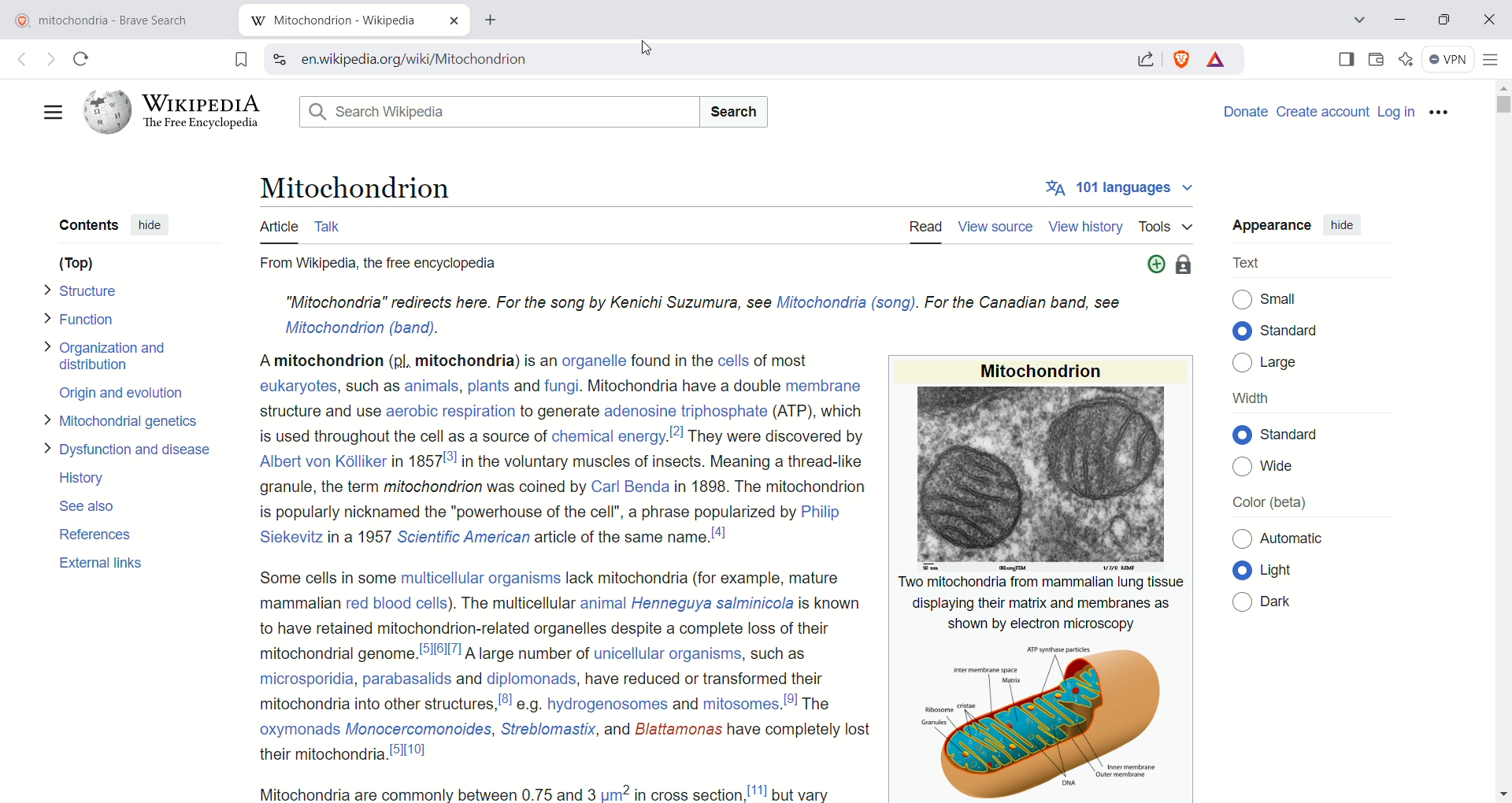  I want to click on Large, so click(1289, 362).